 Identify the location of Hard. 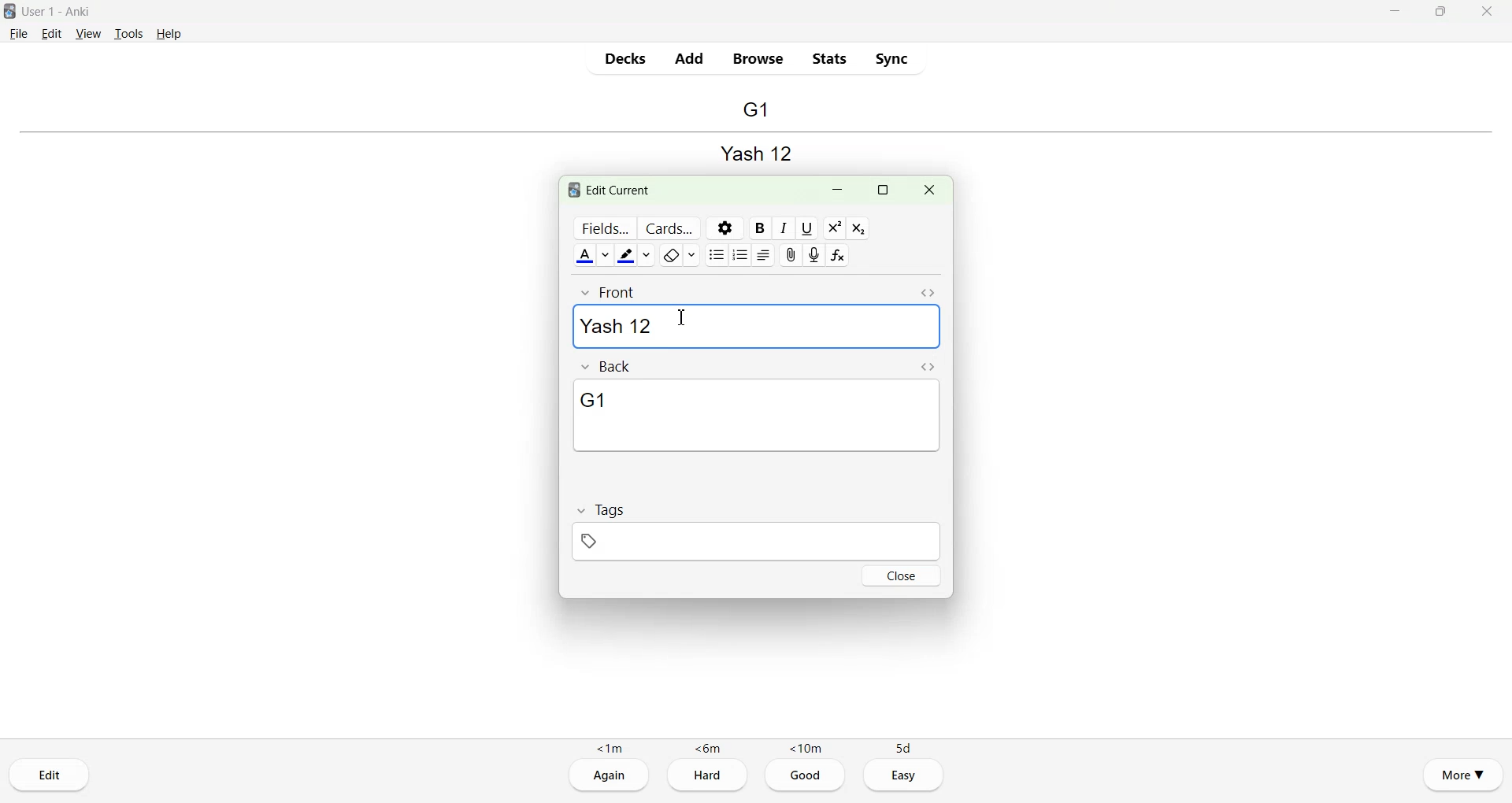
(707, 777).